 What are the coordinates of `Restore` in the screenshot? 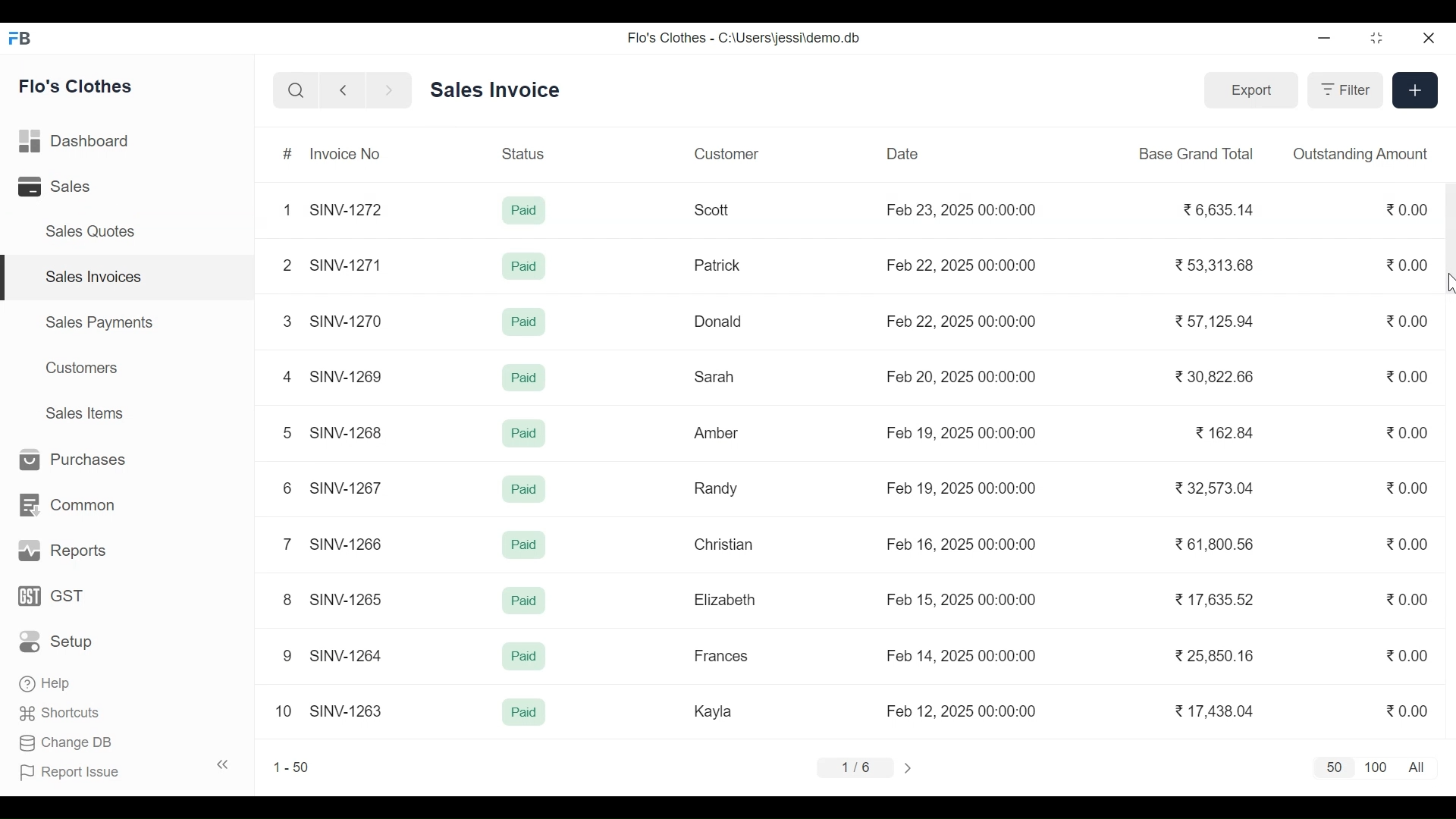 It's located at (1377, 39).